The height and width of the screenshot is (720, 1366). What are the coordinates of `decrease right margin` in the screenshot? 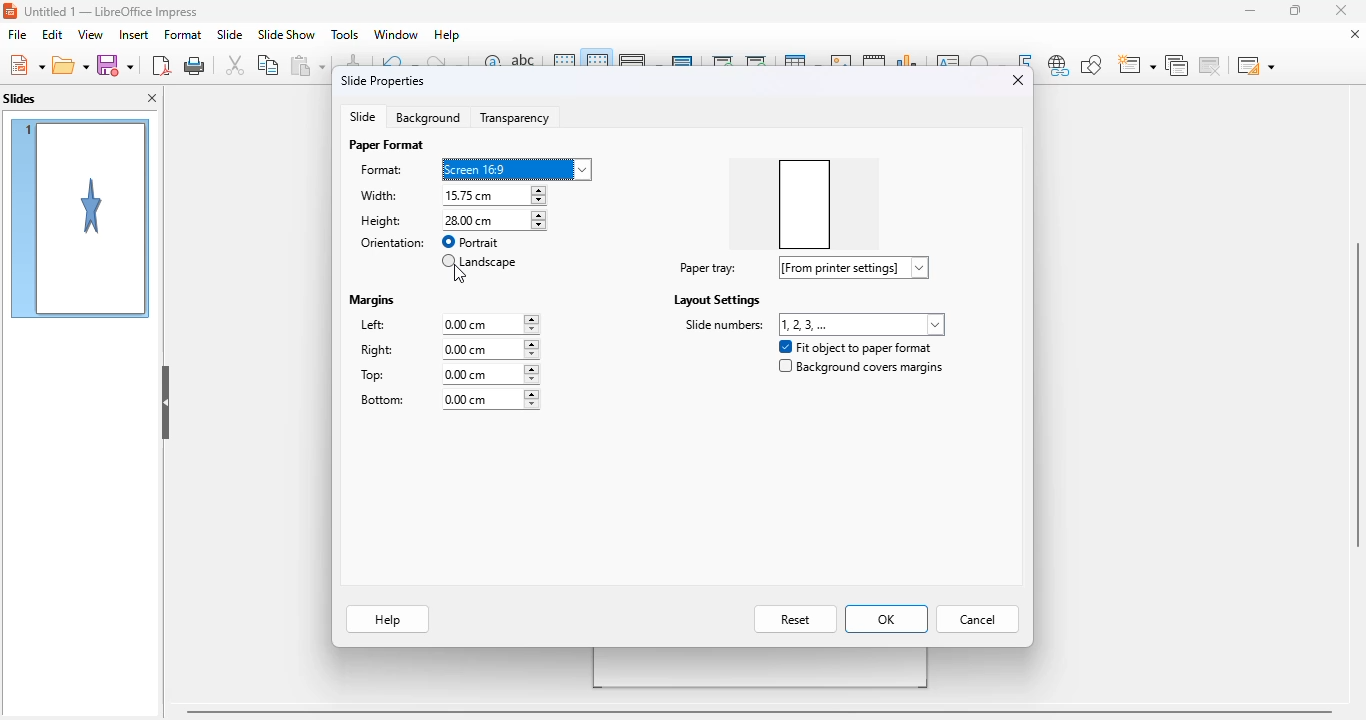 It's located at (533, 356).